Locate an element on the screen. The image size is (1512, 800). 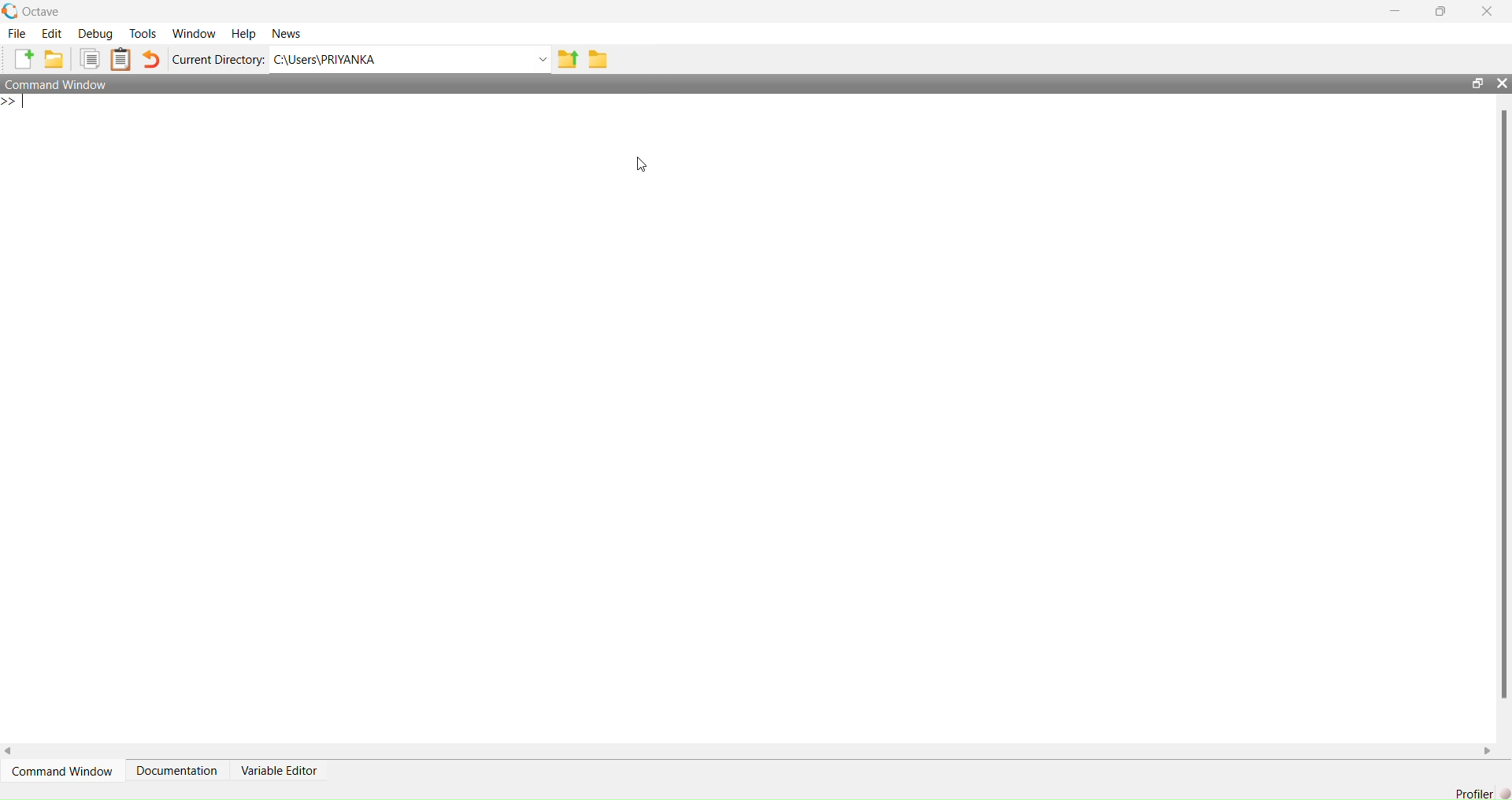
folder is located at coordinates (598, 59).